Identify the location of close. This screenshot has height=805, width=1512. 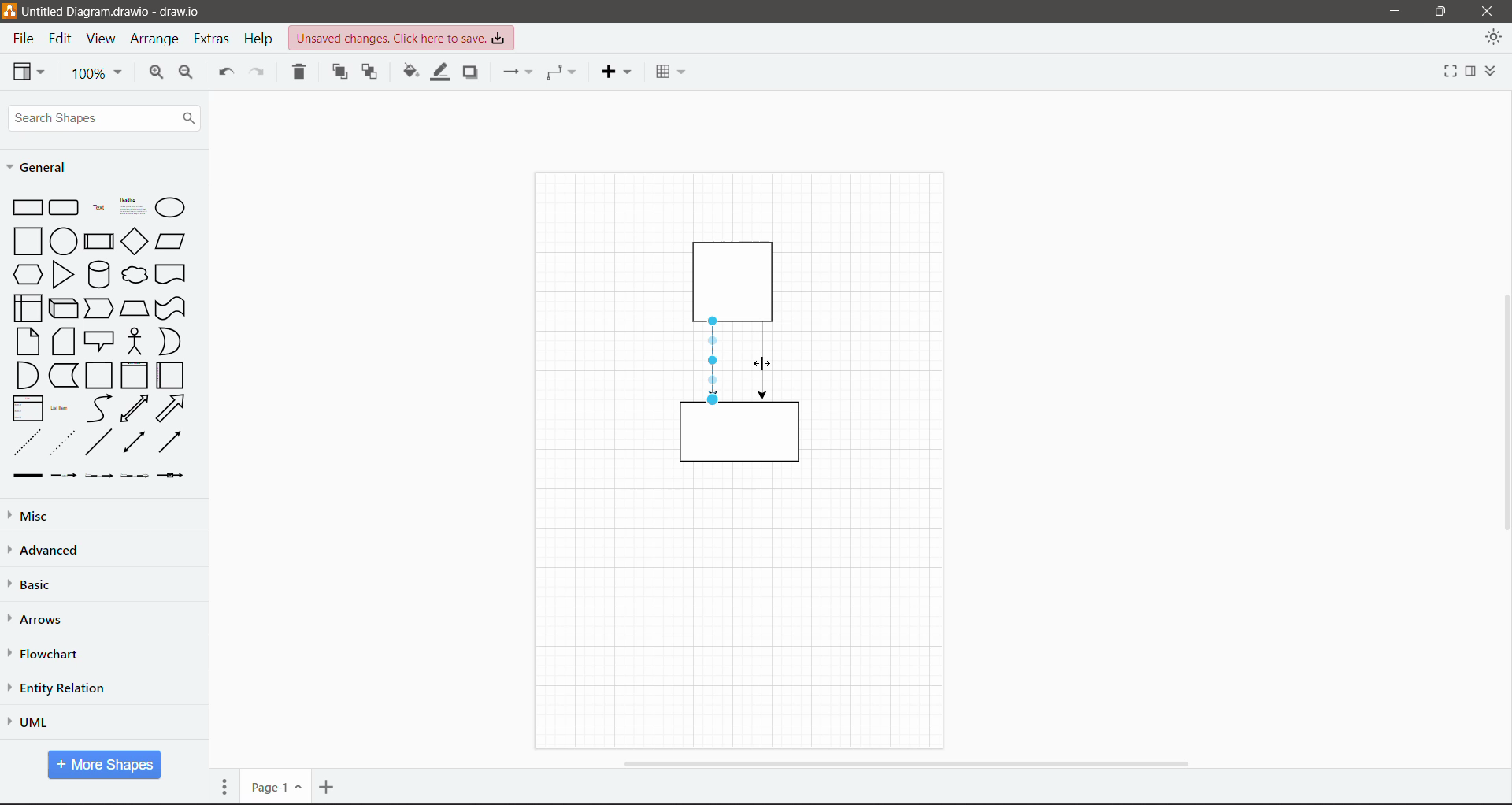
(1487, 10).